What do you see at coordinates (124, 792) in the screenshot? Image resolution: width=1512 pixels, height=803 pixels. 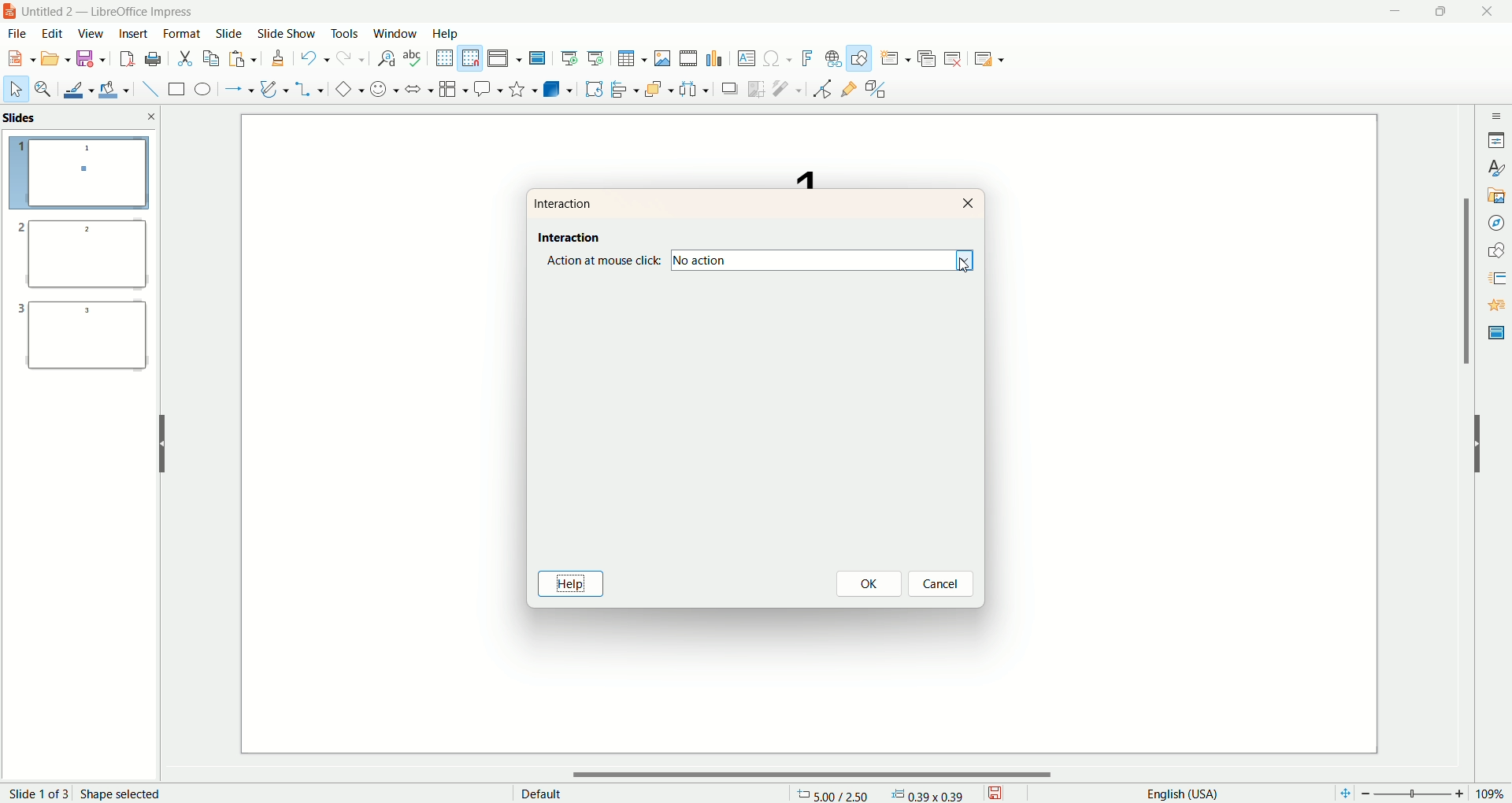 I see `shape selected` at bounding box center [124, 792].